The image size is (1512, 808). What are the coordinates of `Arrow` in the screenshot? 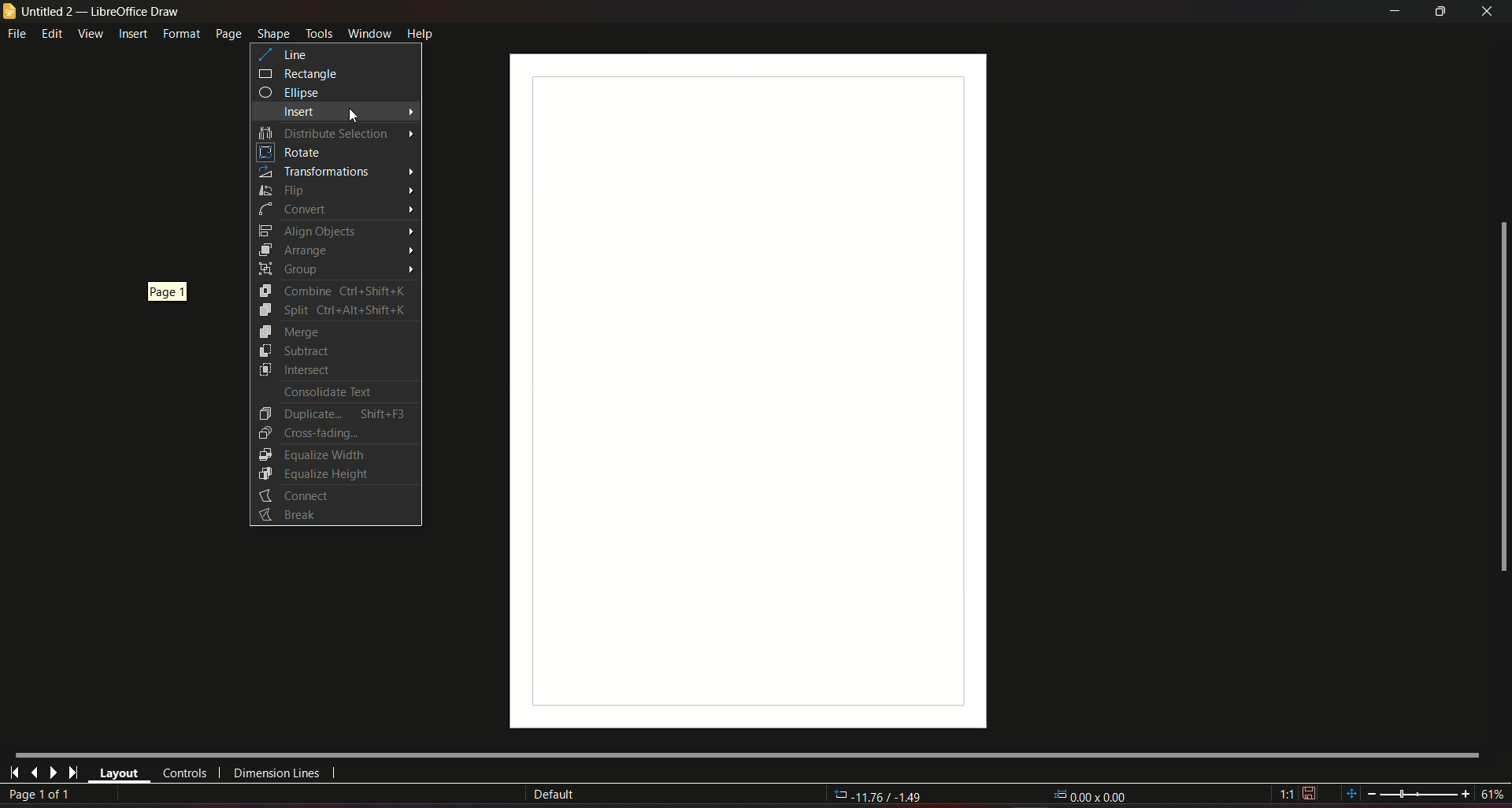 It's located at (409, 232).